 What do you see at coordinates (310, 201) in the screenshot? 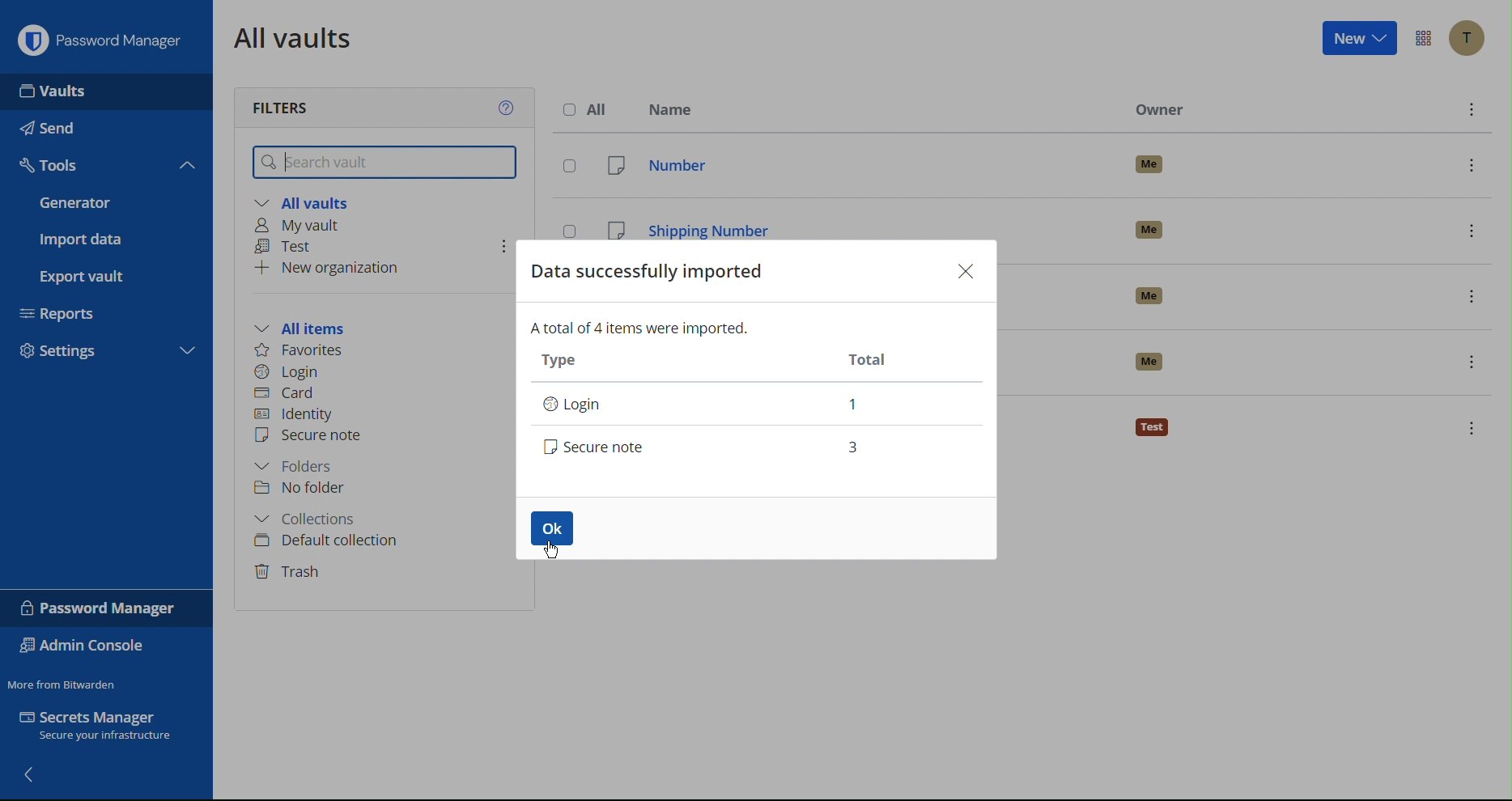
I see `All vaults` at bounding box center [310, 201].